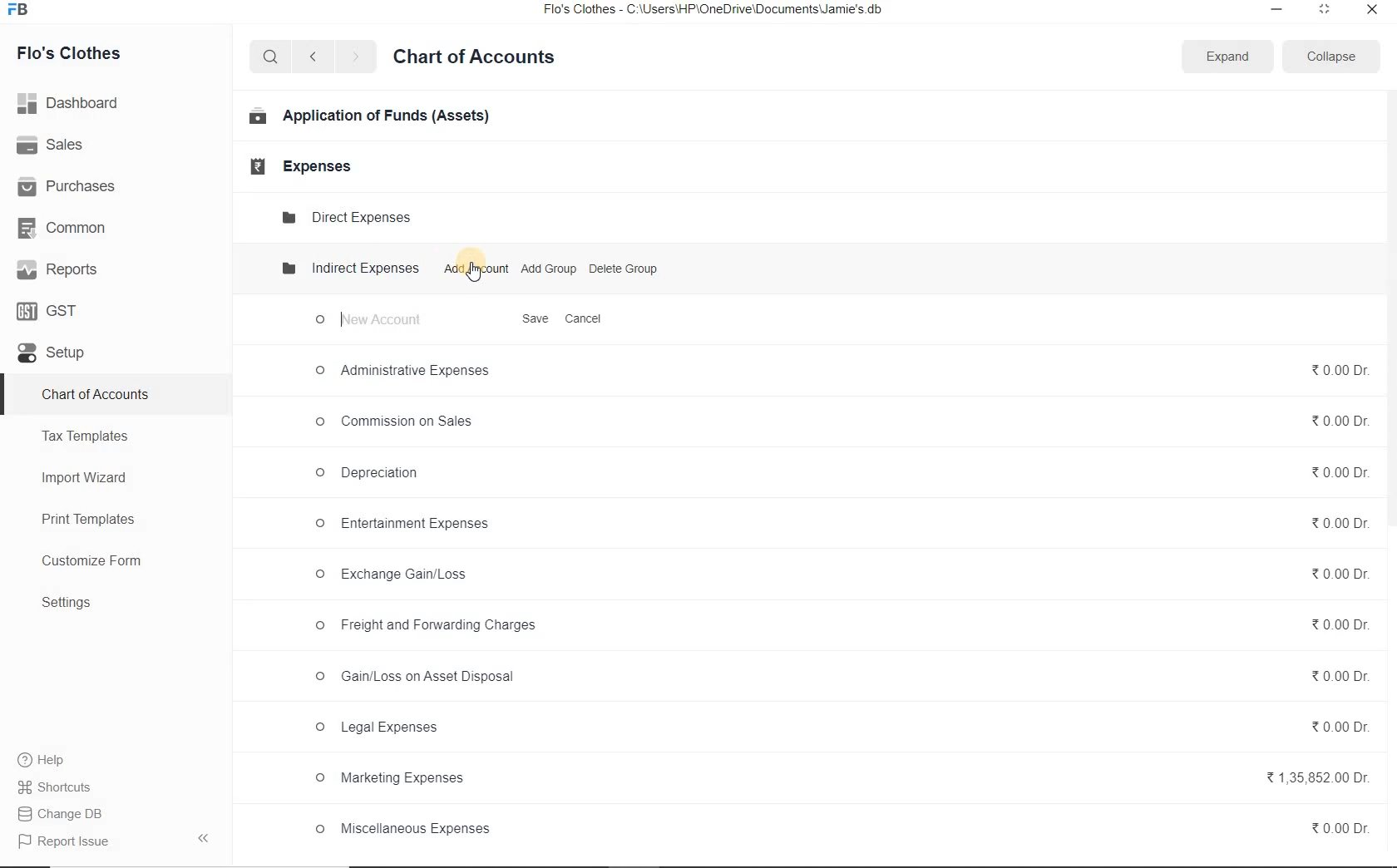 The width and height of the screenshot is (1397, 868). I want to click on Import Wizard, so click(86, 477).